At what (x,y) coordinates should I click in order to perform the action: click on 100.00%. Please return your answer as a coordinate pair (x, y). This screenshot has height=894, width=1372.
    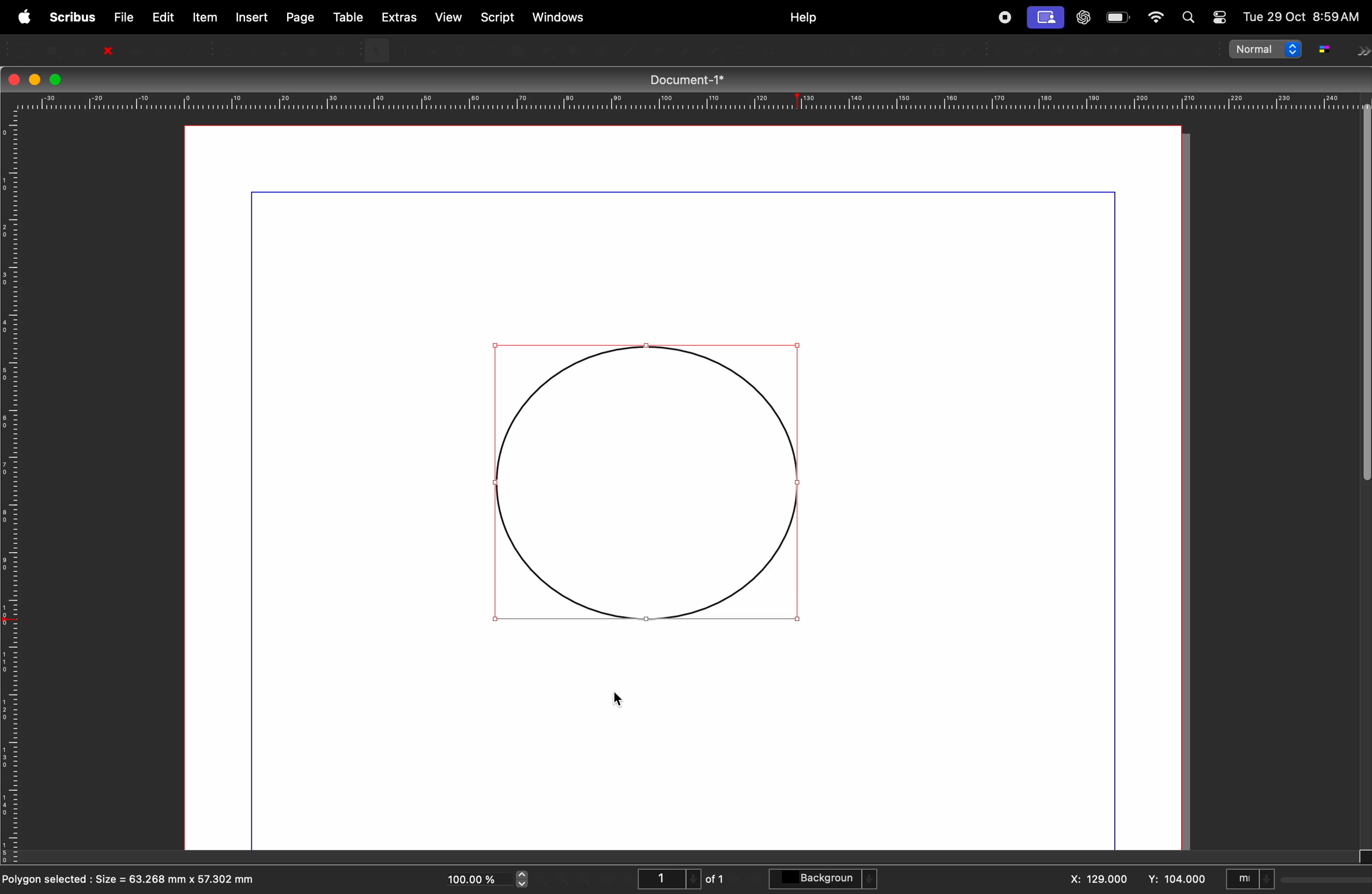
    Looking at the image, I should click on (469, 876).